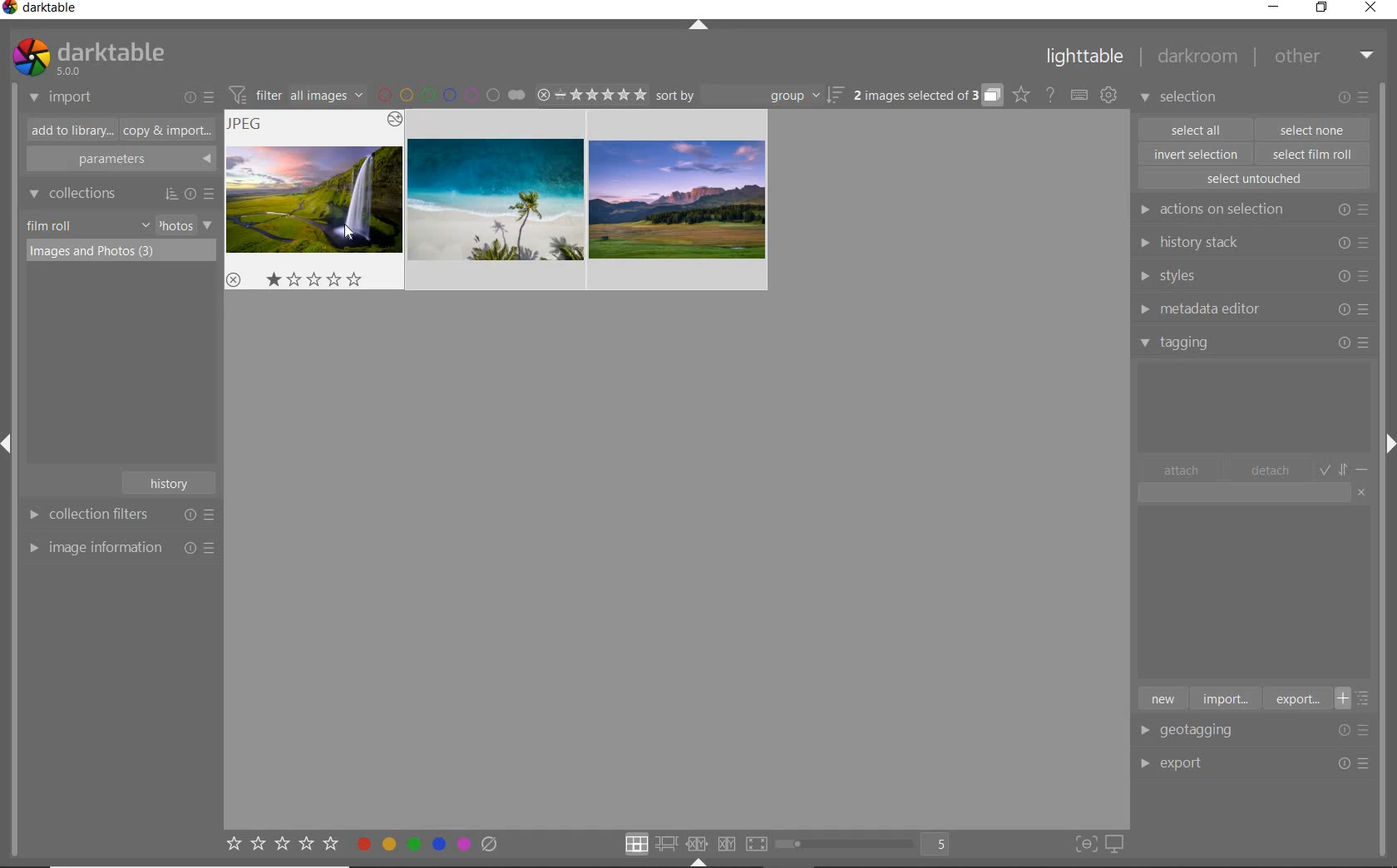 This screenshot has width=1397, height=868. I want to click on metadata editor, so click(1251, 309).